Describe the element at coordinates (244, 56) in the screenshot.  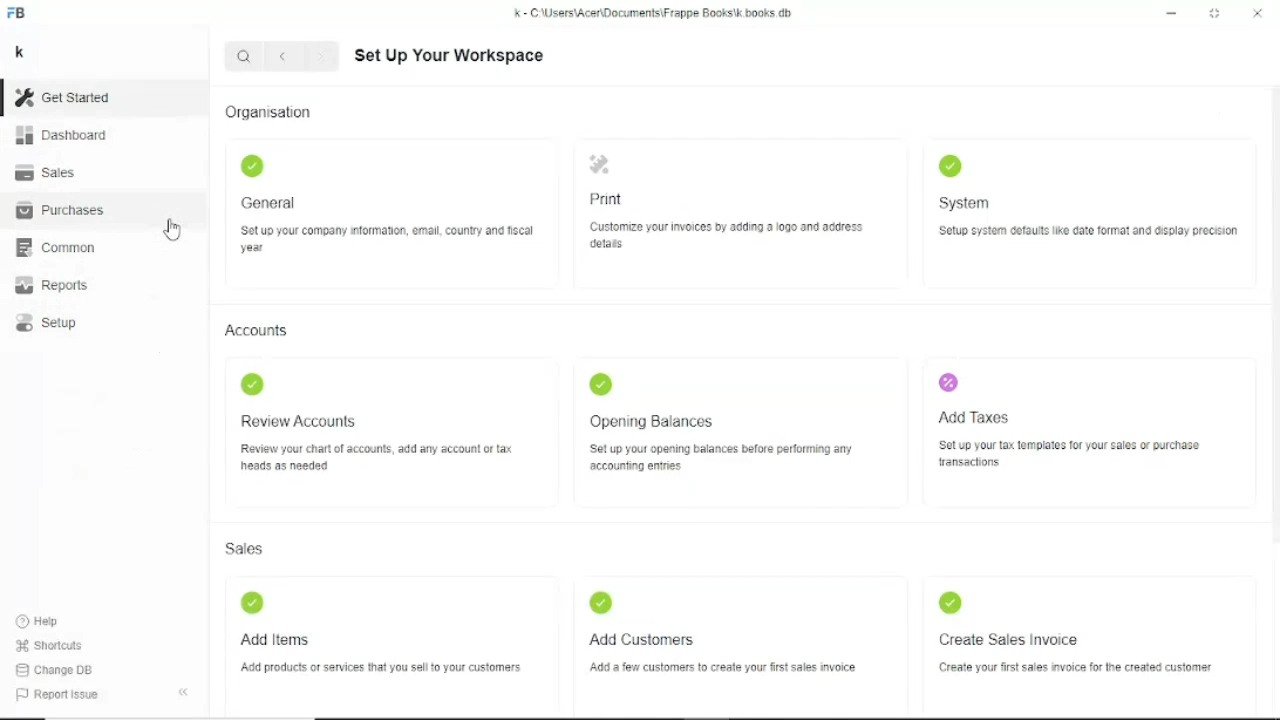
I see `Search` at that location.